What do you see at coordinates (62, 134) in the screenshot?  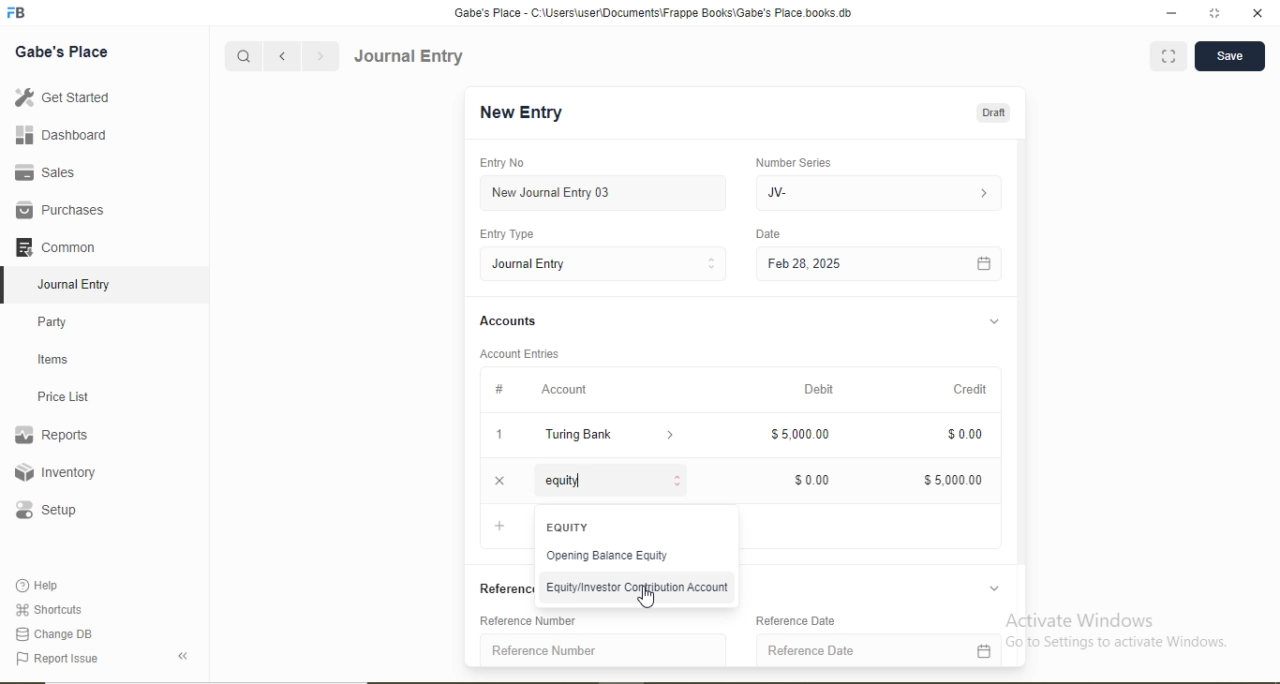 I see `Dashboard` at bounding box center [62, 134].